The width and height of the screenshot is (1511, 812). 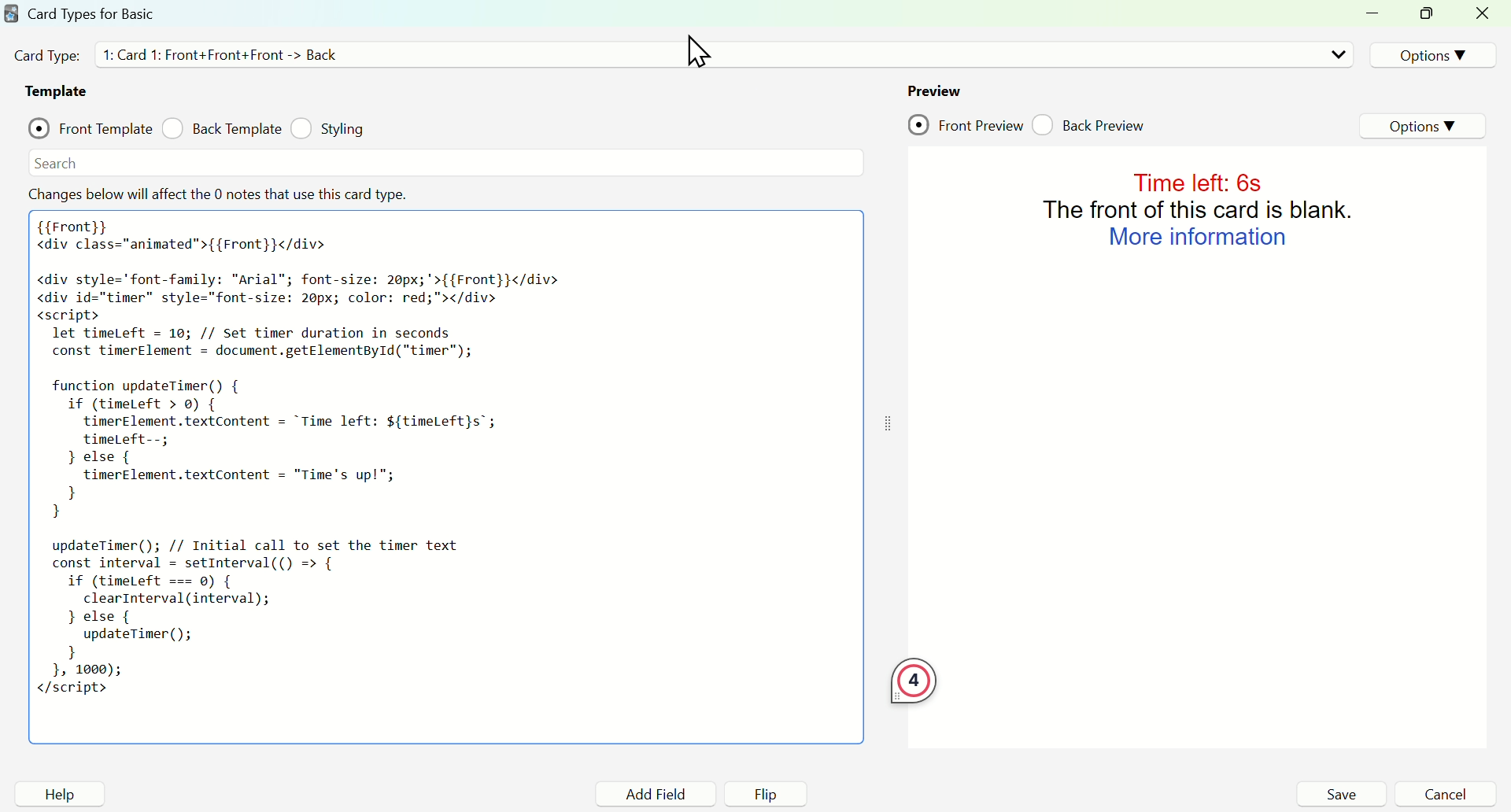 I want to click on Option, so click(x=1425, y=127).